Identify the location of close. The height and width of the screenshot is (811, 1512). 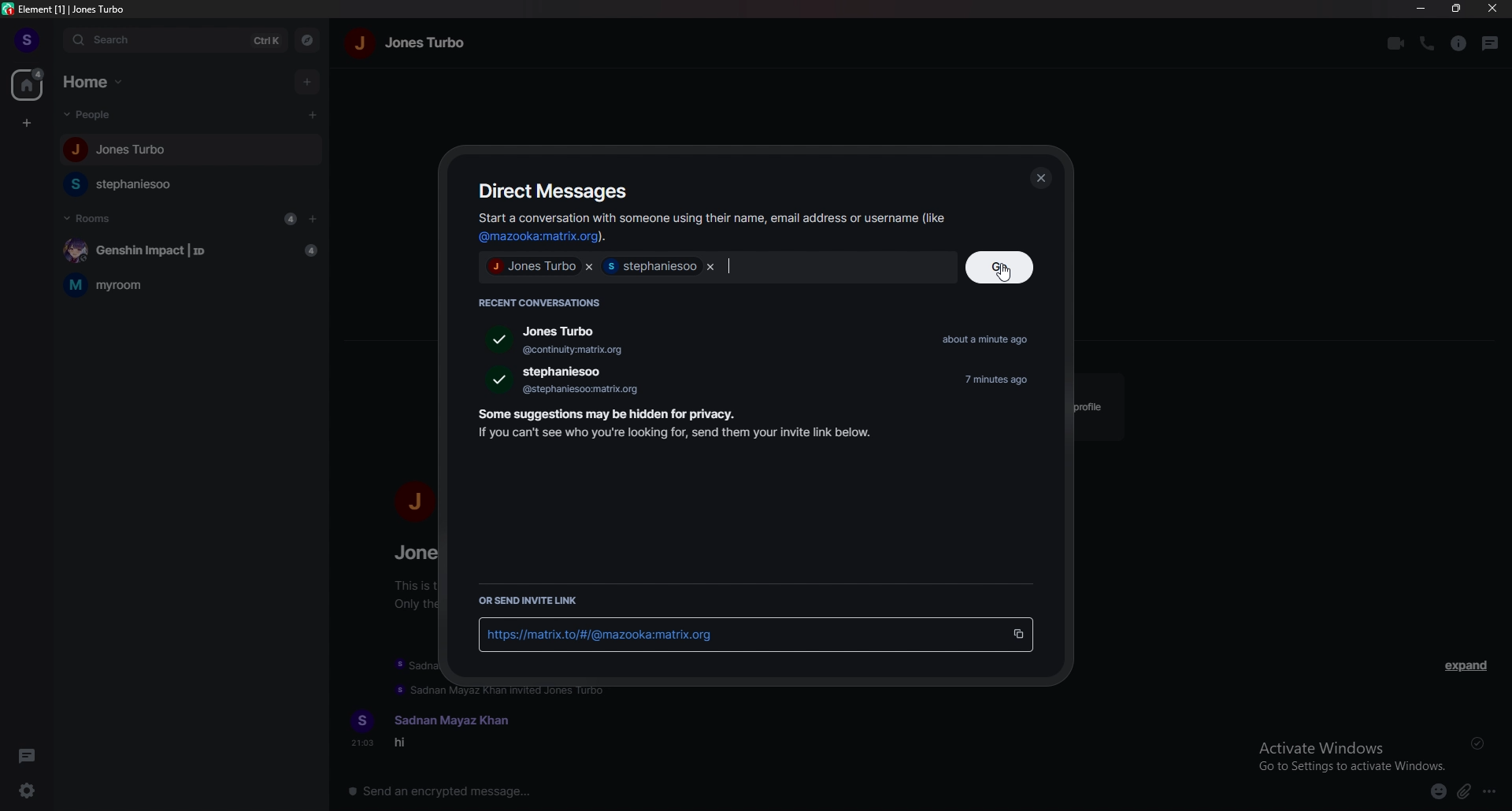
(1491, 8).